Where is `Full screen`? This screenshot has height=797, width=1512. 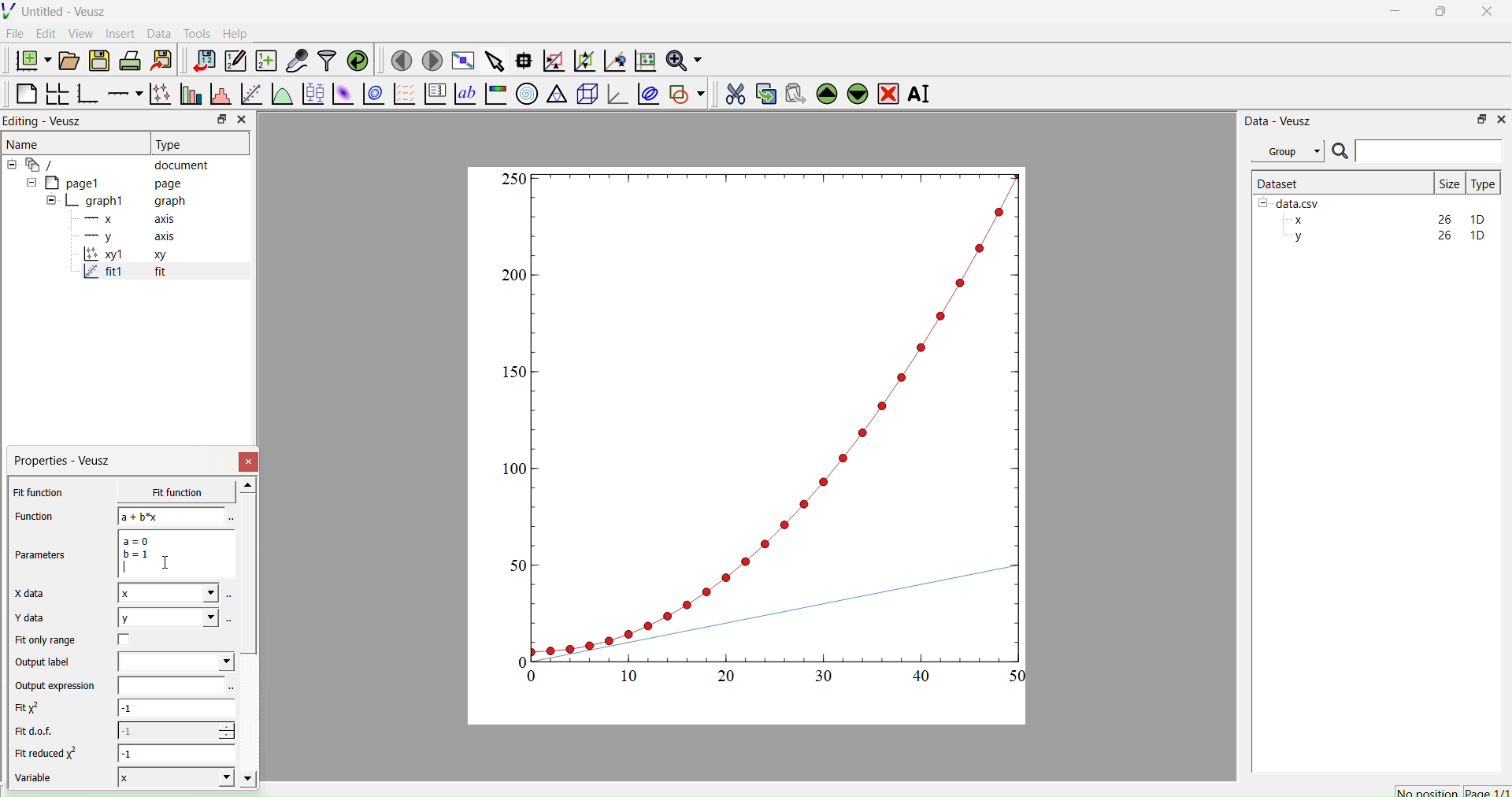
Full screen is located at coordinates (460, 61).